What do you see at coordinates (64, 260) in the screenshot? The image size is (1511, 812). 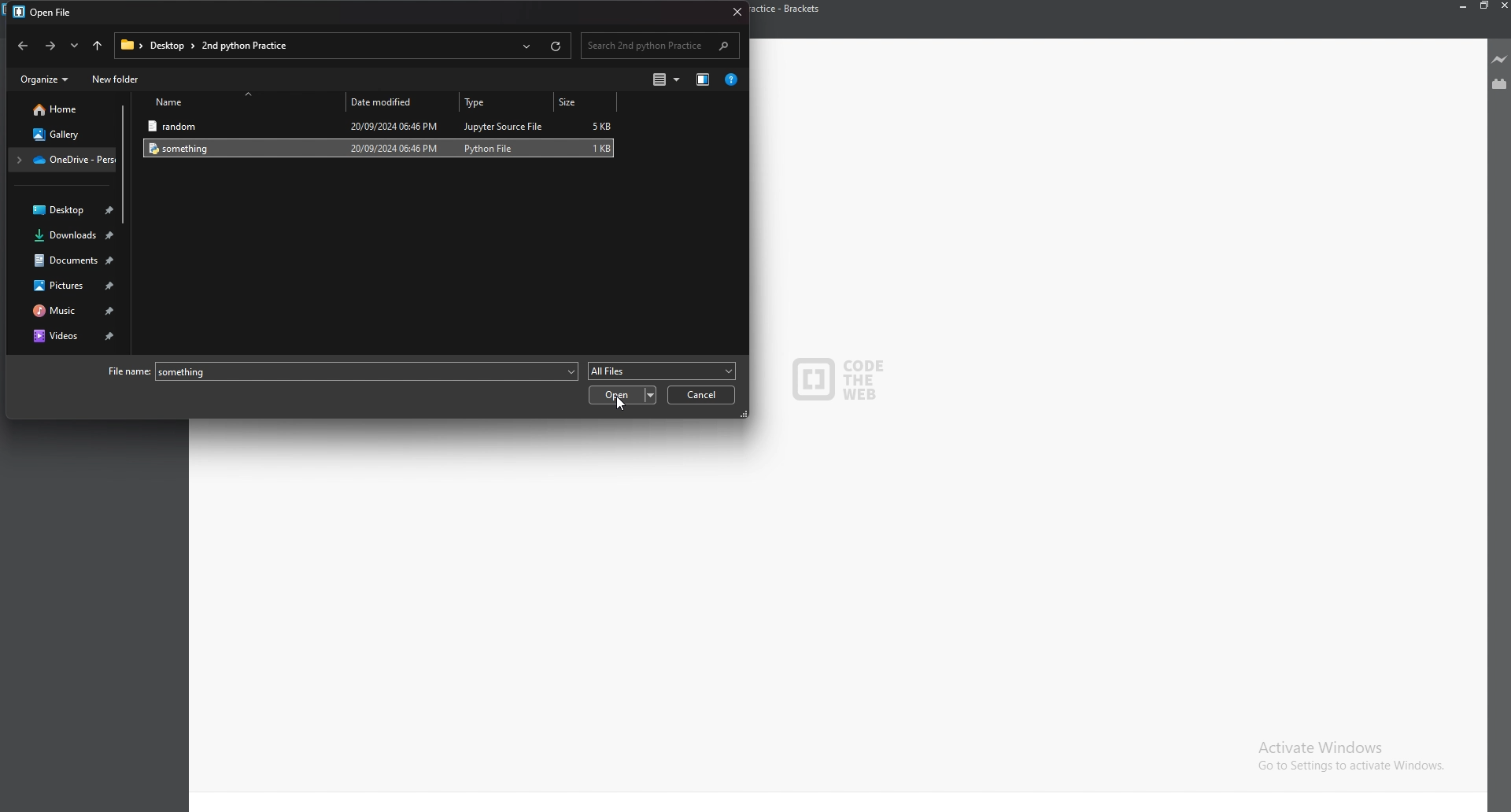 I see `documents` at bounding box center [64, 260].